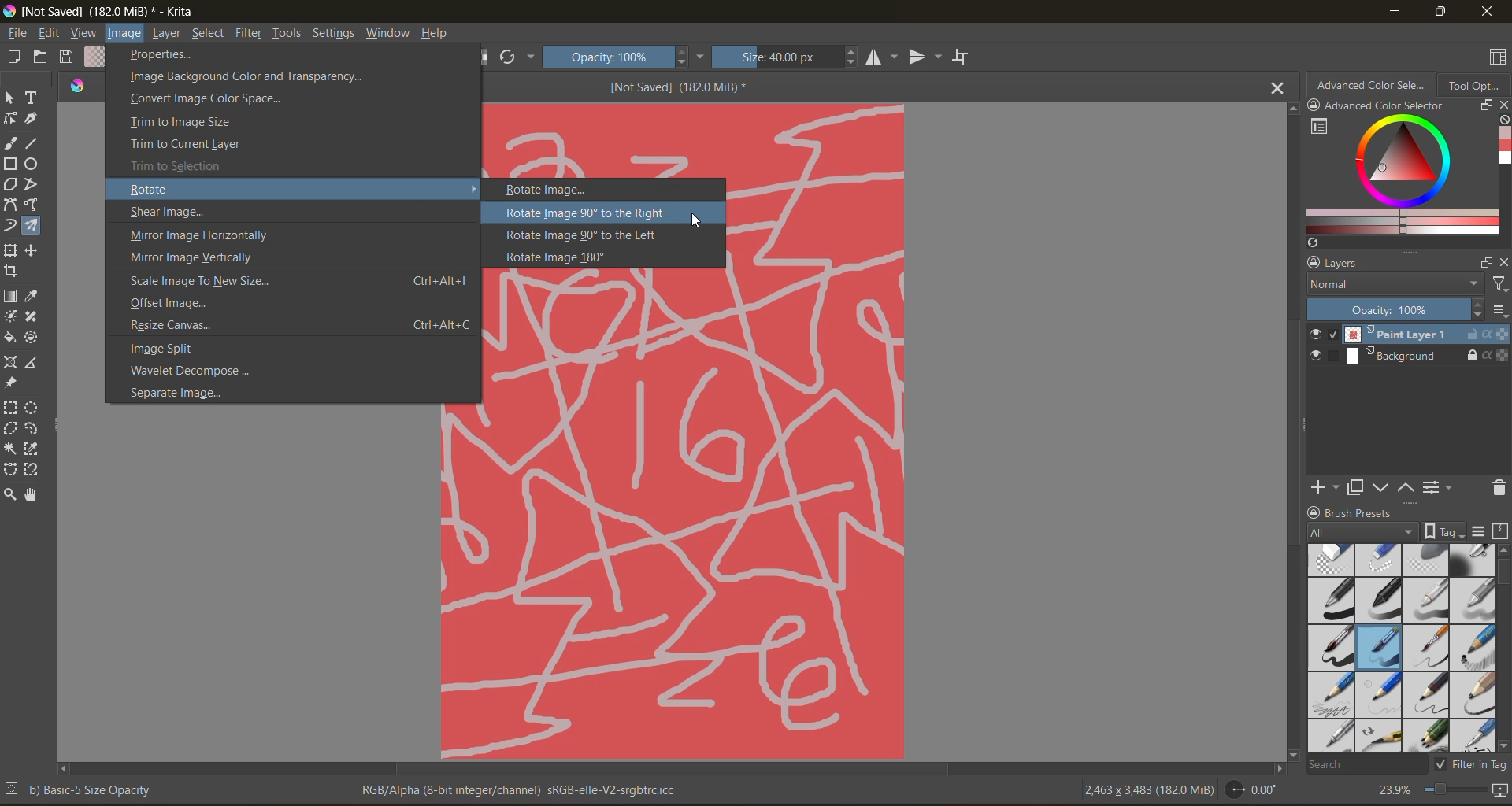  What do you see at coordinates (246, 78) in the screenshot?
I see `image background color and transparency` at bounding box center [246, 78].